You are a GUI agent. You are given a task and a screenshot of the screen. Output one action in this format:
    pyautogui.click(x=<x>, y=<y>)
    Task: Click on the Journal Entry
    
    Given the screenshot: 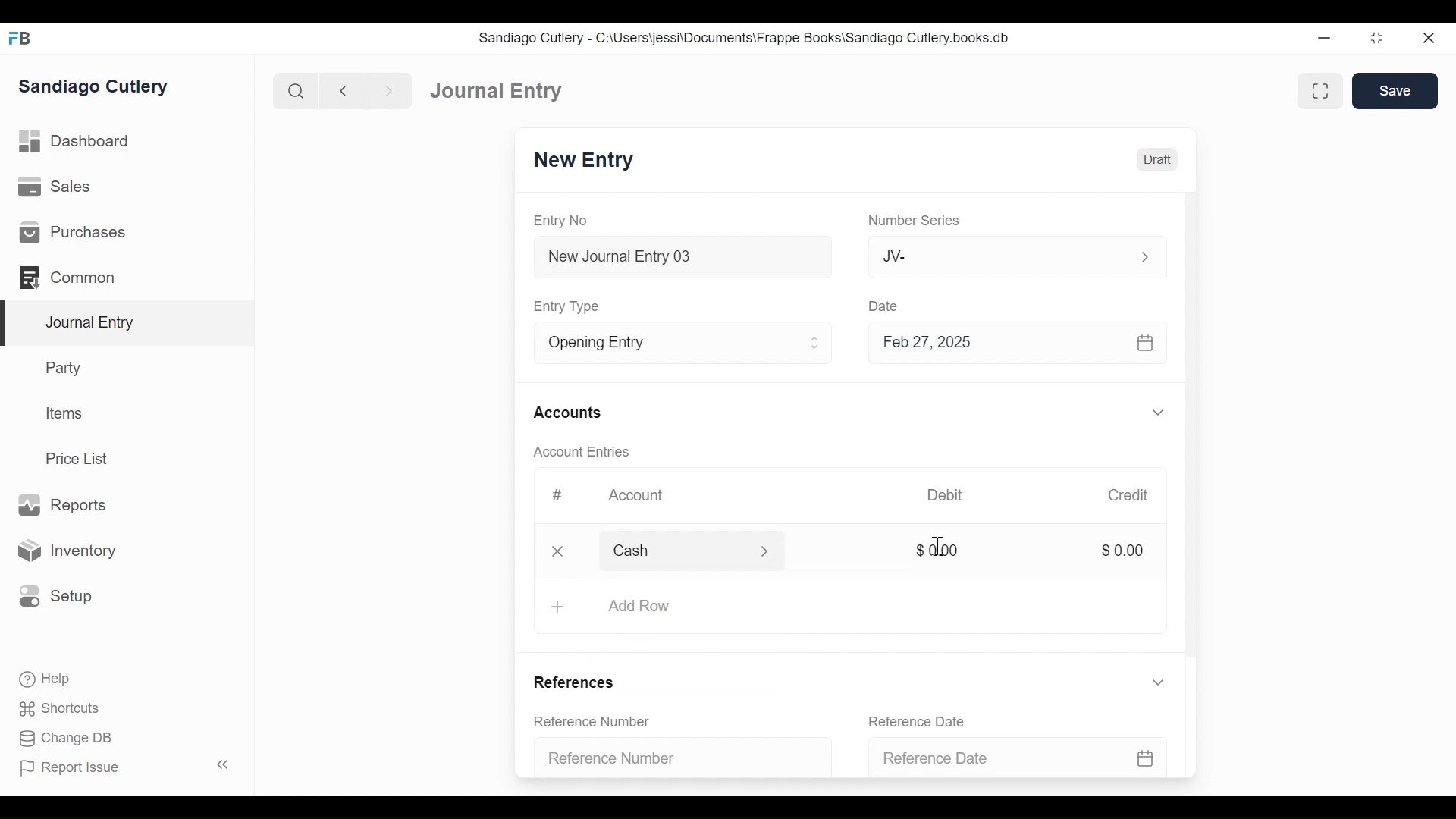 What is the action you would take?
    pyautogui.click(x=124, y=324)
    